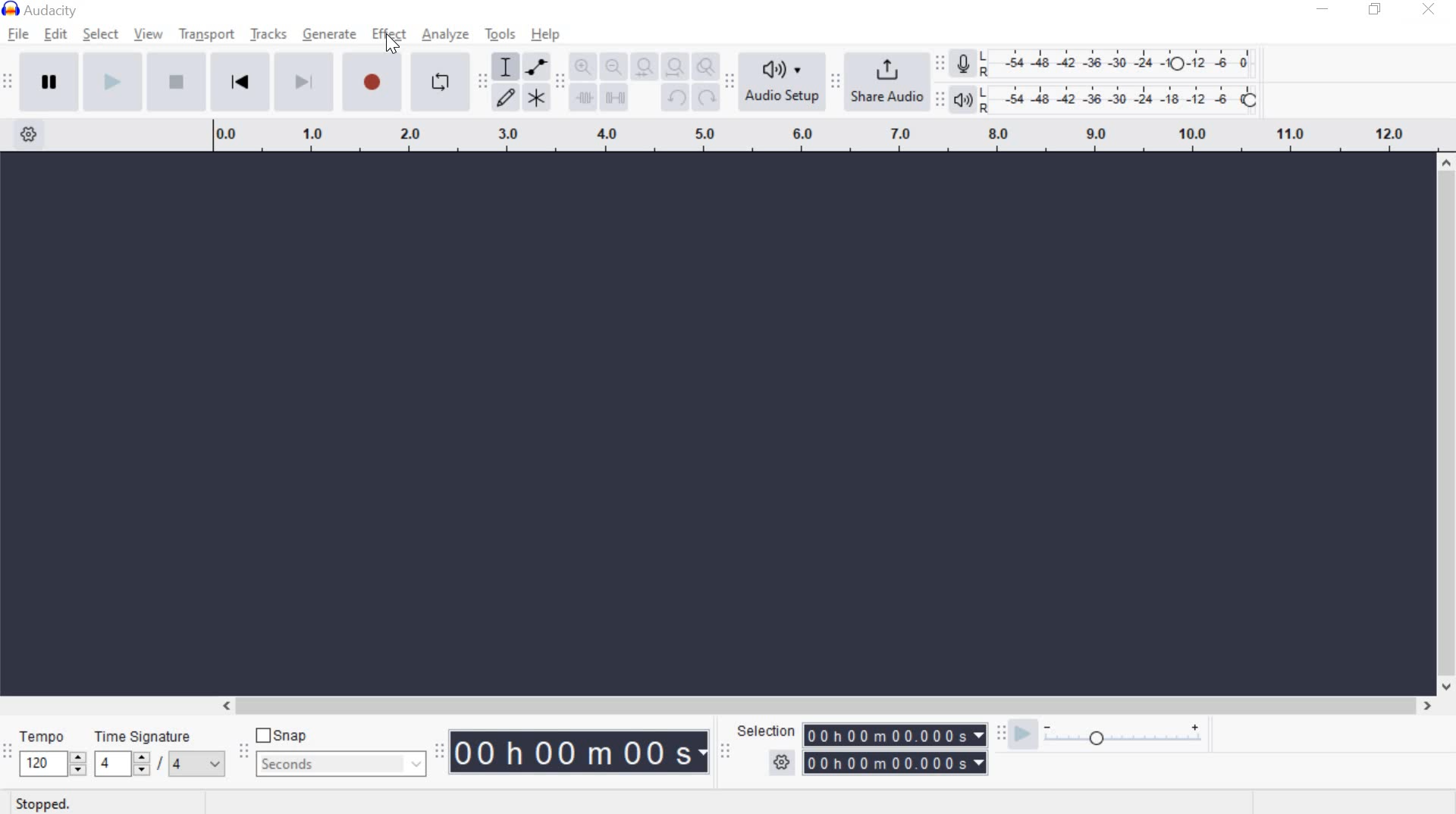  Describe the element at coordinates (26, 133) in the screenshot. I see `Timeline Options` at that location.